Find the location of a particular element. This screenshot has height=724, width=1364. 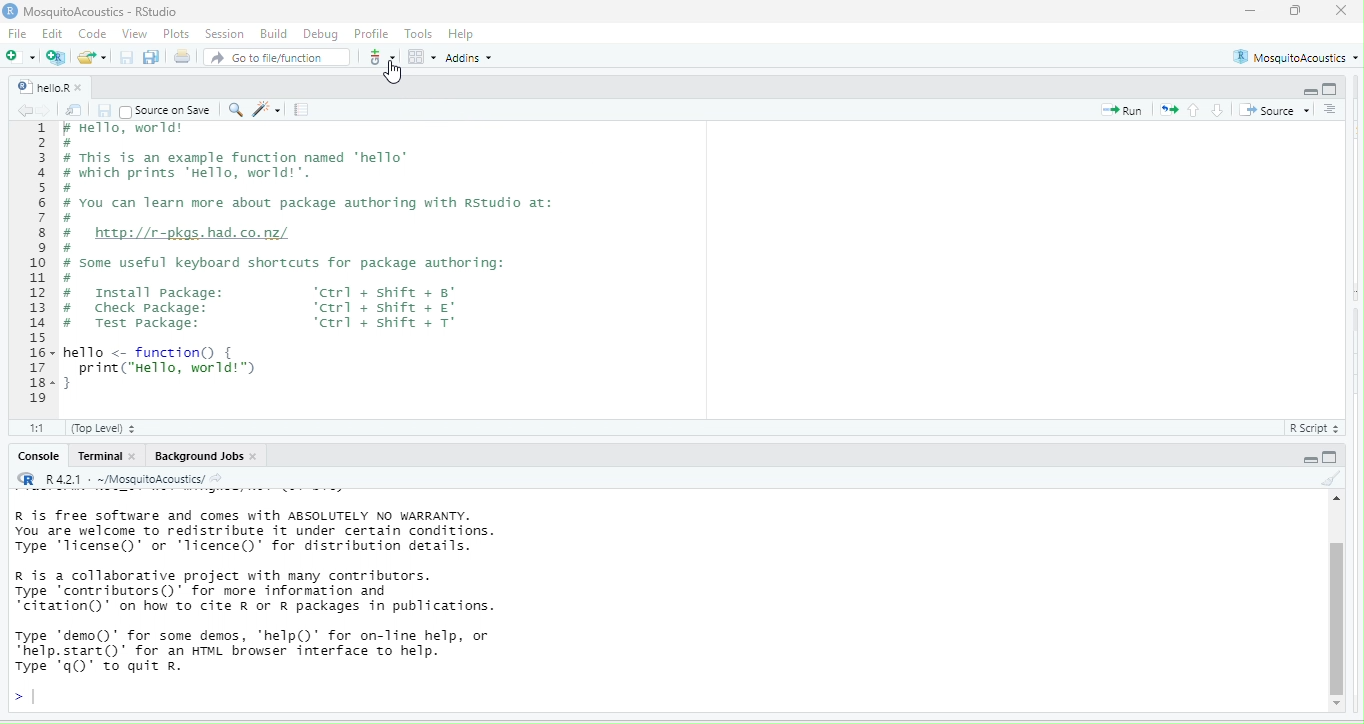

hide r script is located at coordinates (1311, 459).